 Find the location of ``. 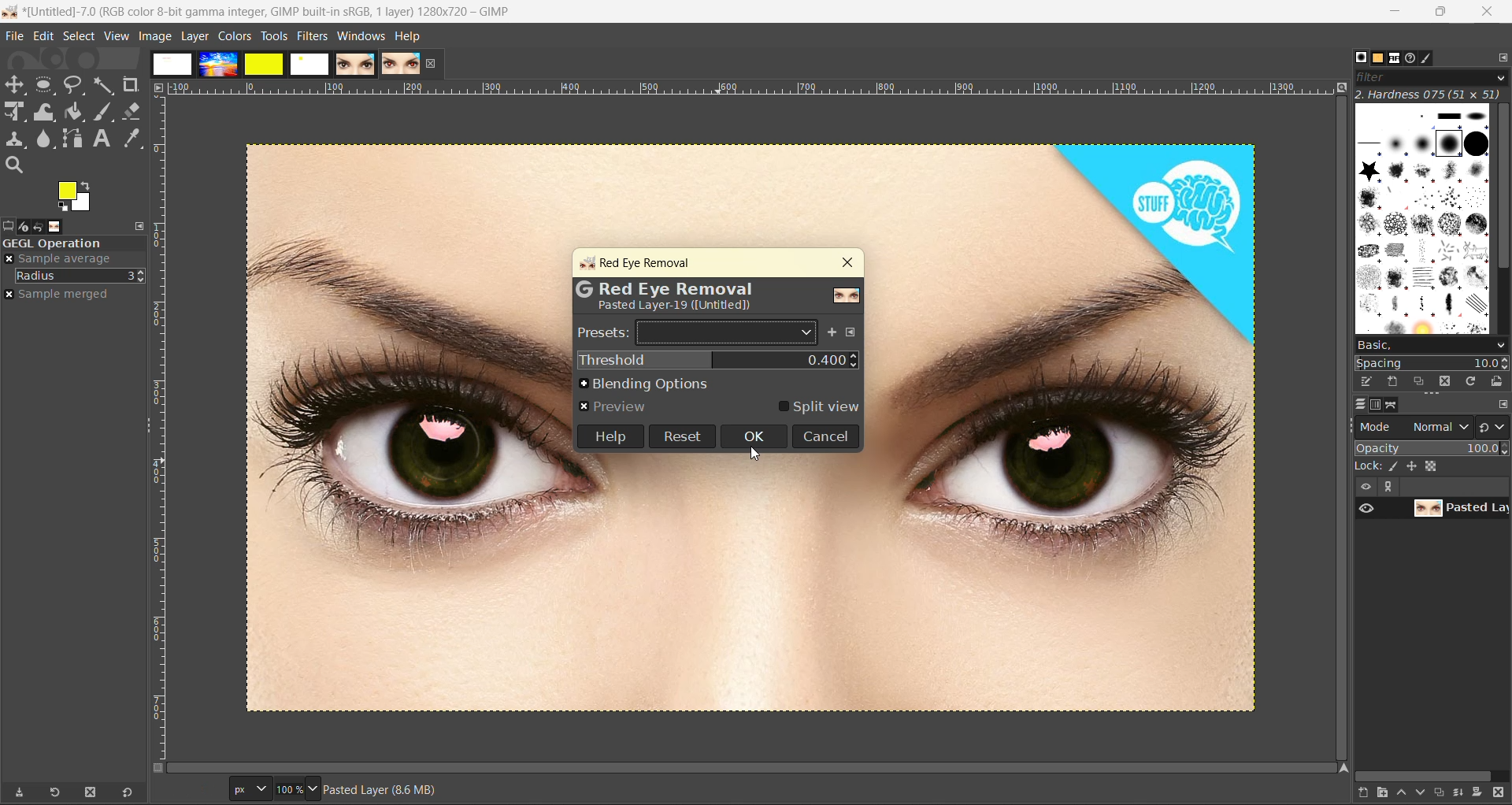

 is located at coordinates (1350, 54).